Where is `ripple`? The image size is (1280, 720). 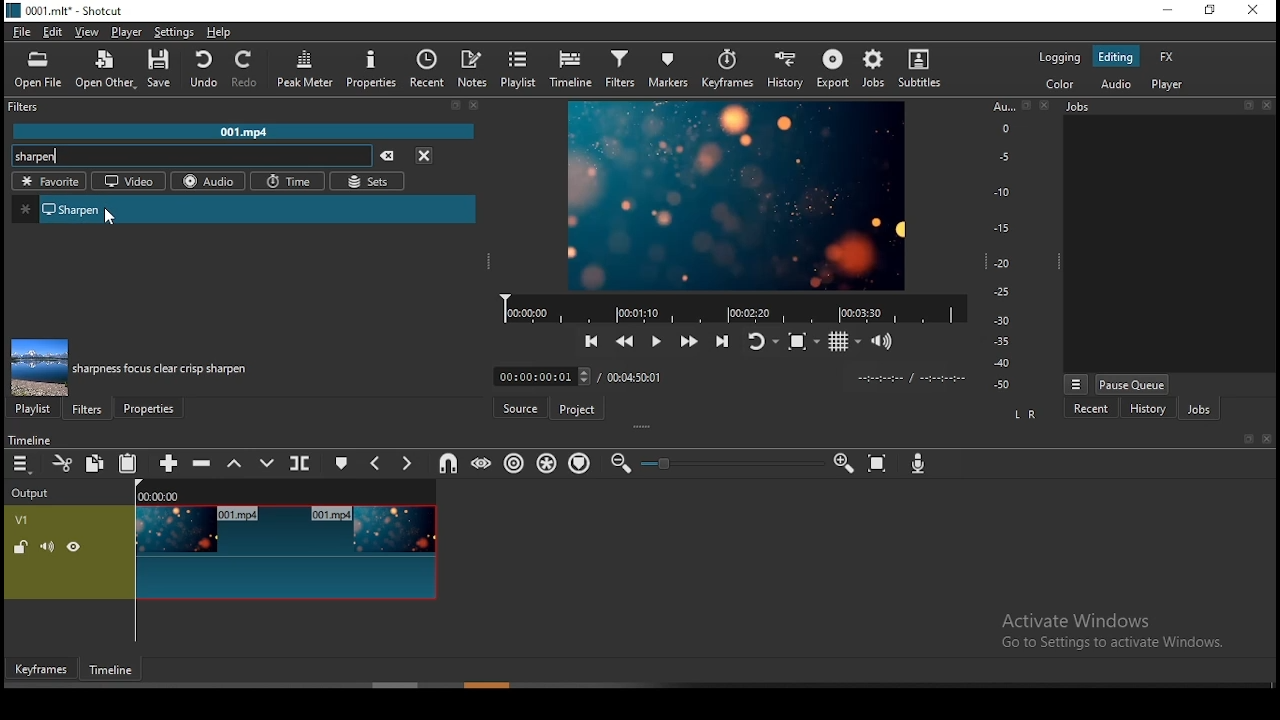
ripple is located at coordinates (511, 463).